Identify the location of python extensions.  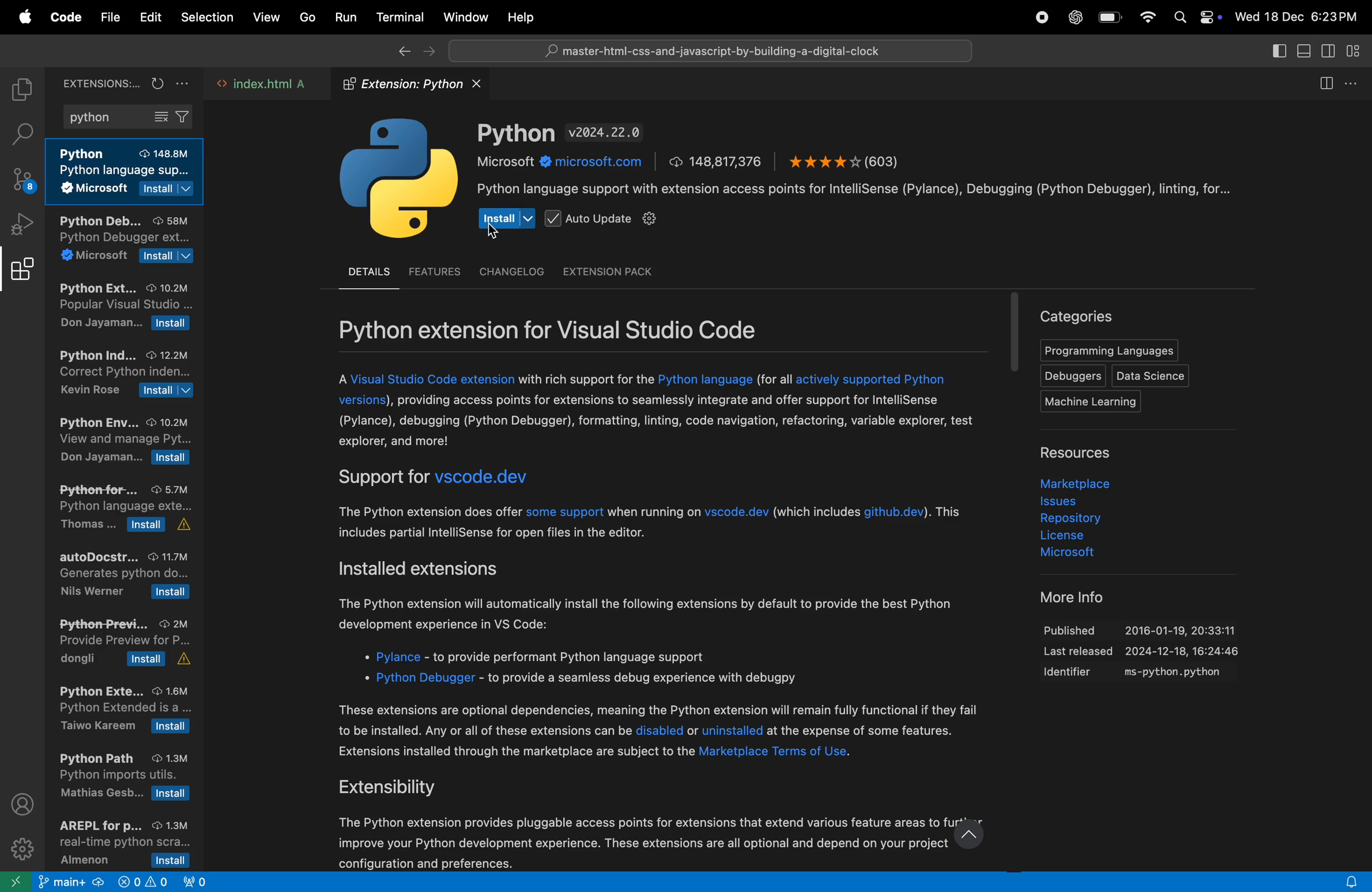
(123, 309).